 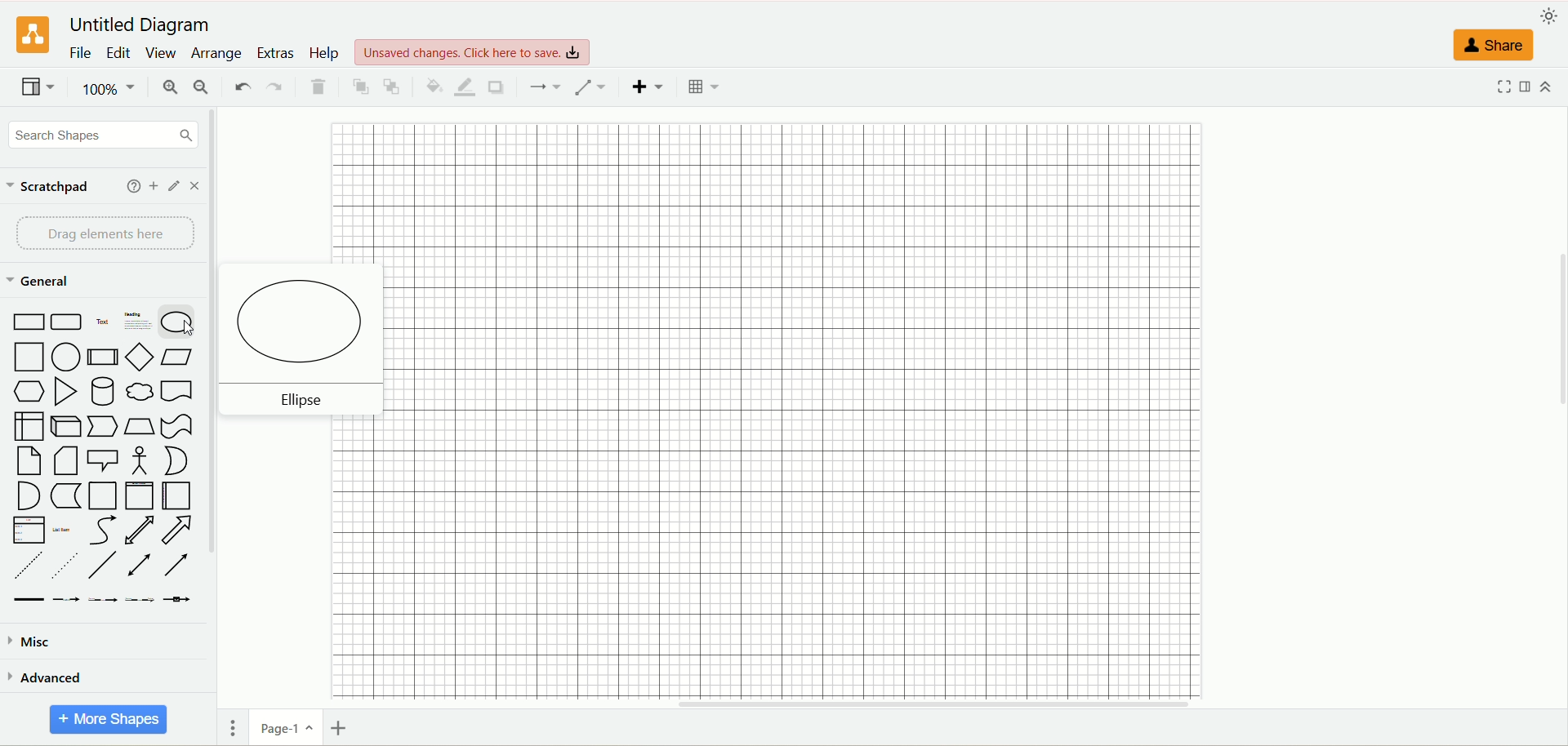 What do you see at coordinates (179, 530) in the screenshot?
I see `arrow` at bounding box center [179, 530].